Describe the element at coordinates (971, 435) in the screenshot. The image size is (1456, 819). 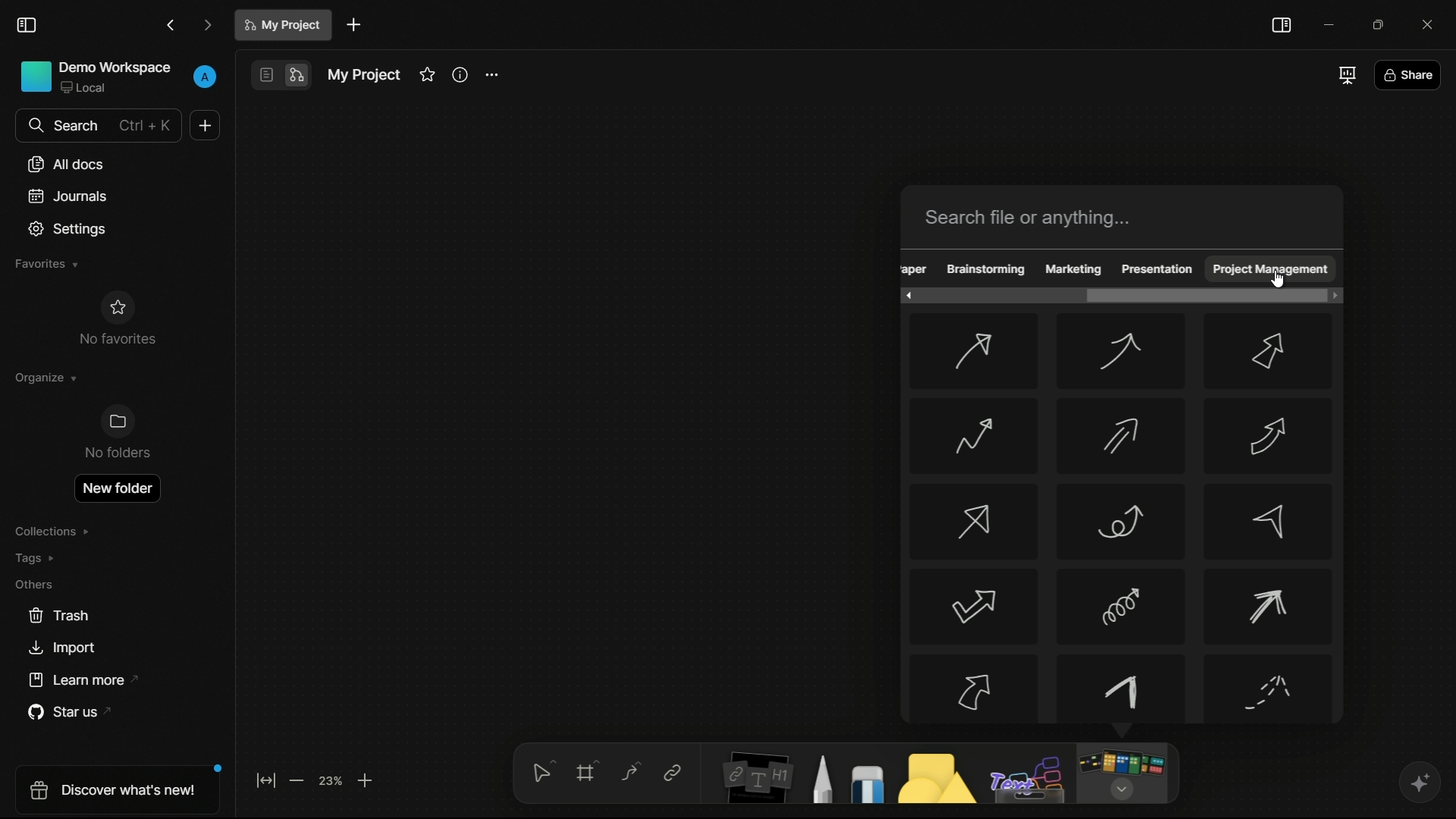
I see `arrow-4` at that location.